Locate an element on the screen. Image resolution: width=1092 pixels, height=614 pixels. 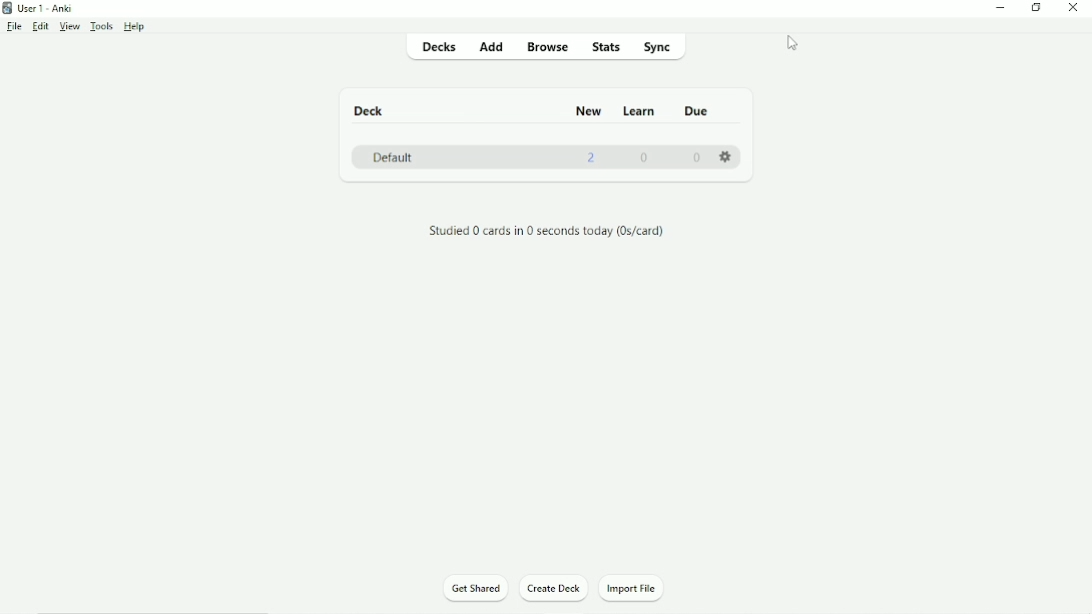
Tools is located at coordinates (103, 26).